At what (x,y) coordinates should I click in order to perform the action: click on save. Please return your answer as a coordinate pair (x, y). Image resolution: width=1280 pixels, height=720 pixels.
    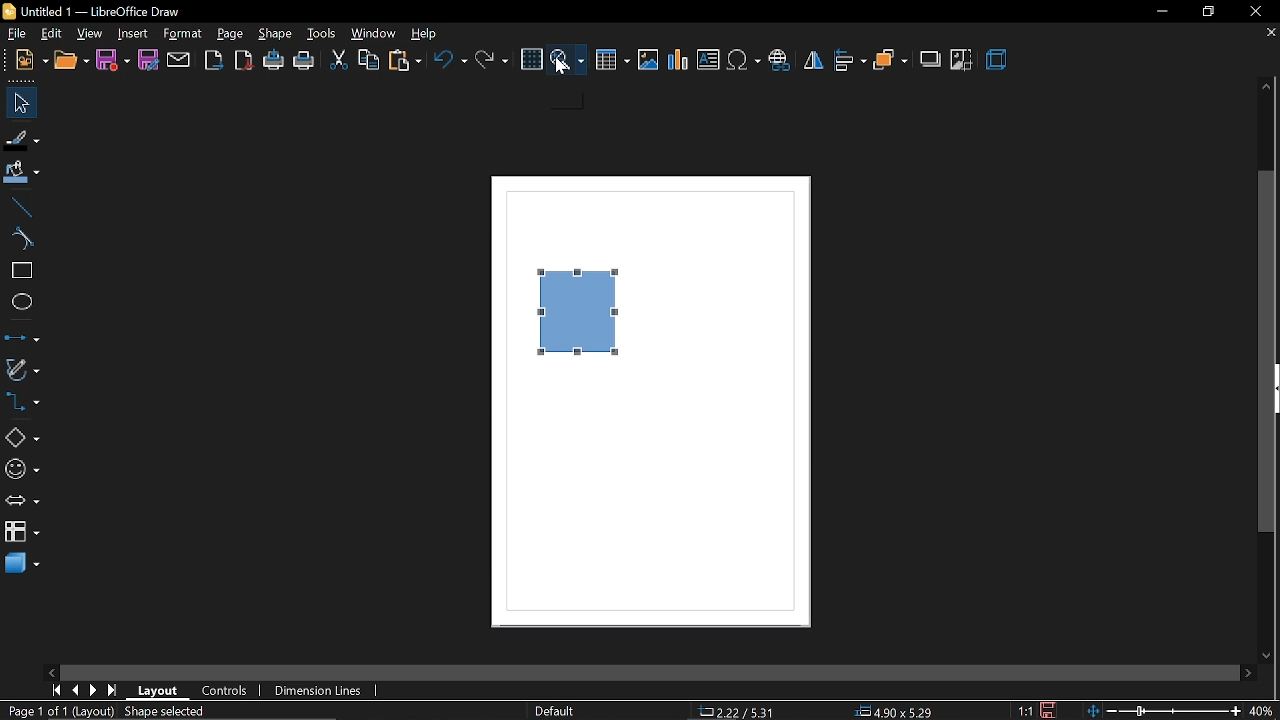
    Looking at the image, I should click on (112, 59).